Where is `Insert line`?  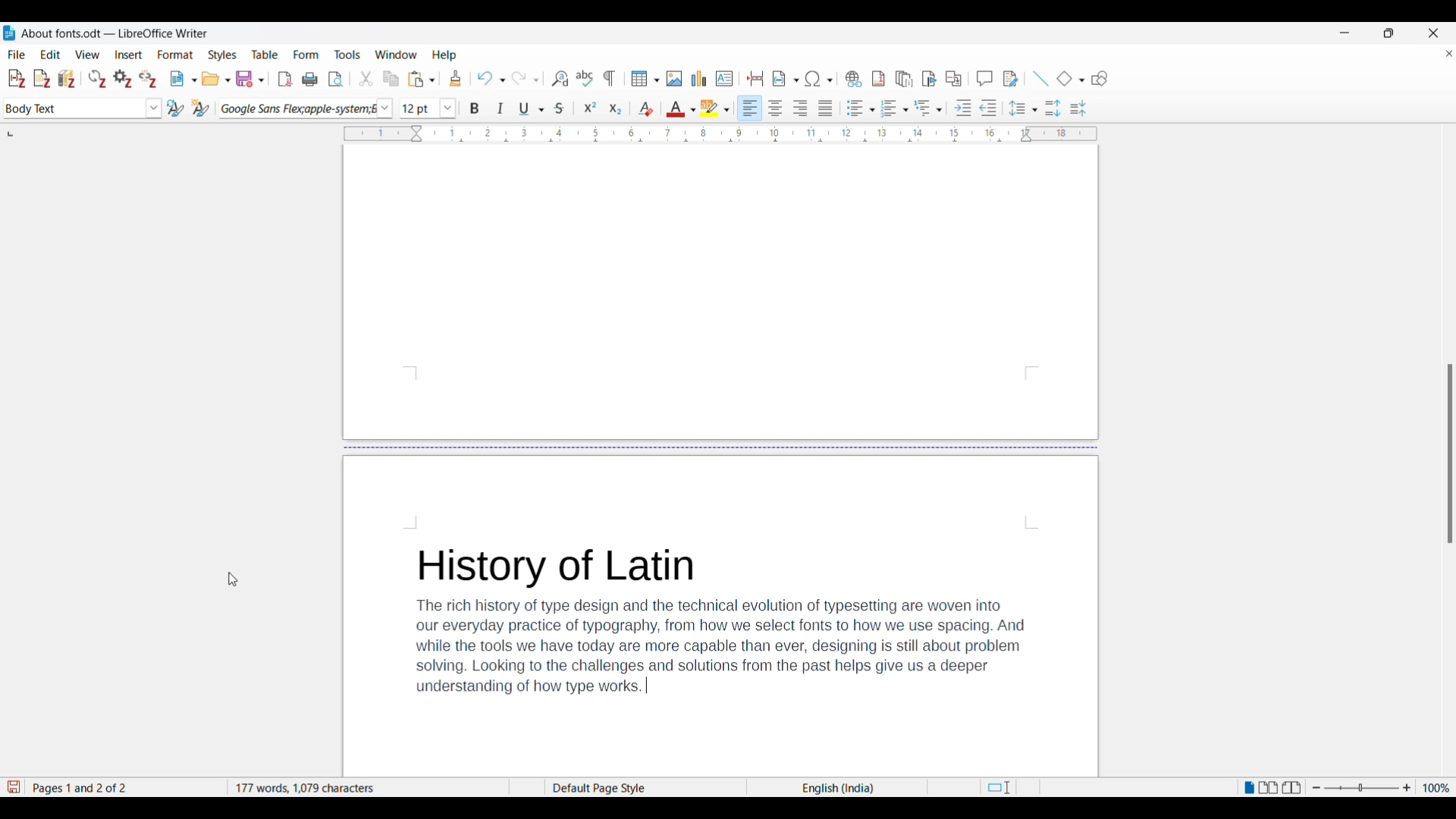
Insert line is located at coordinates (1040, 79).